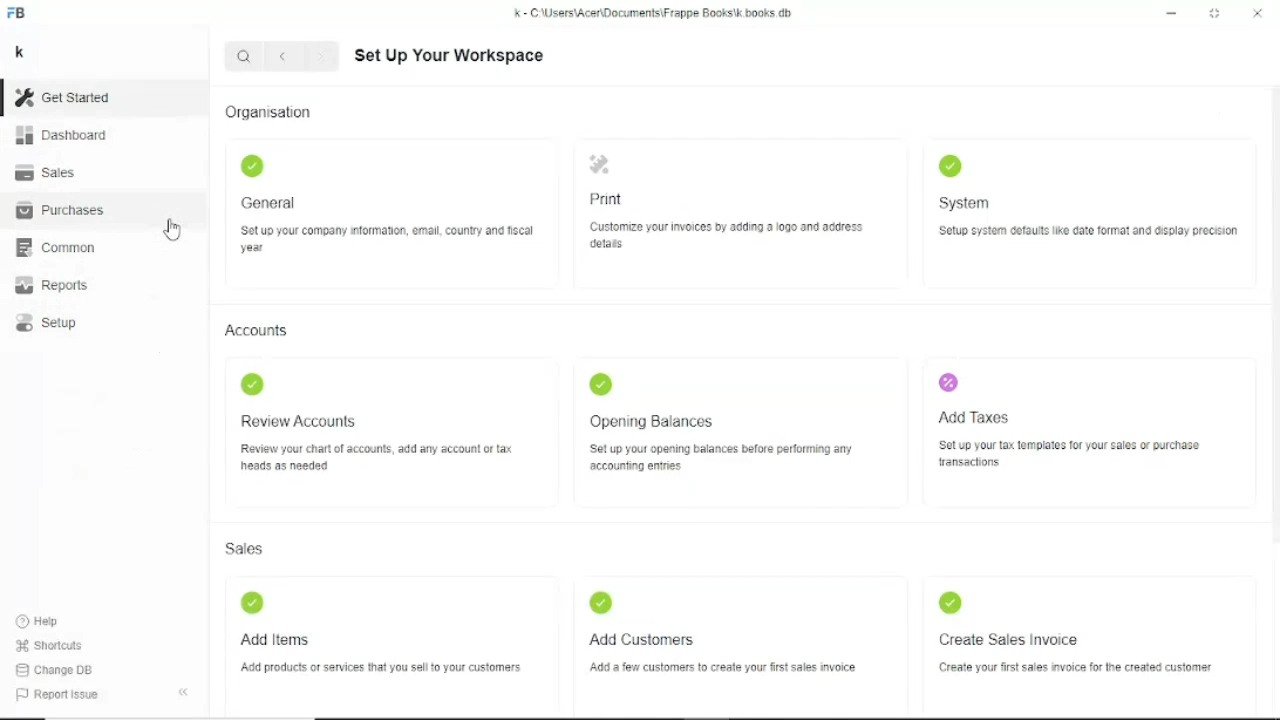  What do you see at coordinates (384, 203) in the screenshot?
I see `General set up your company information, email, country and fiscal year.` at bounding box center [384, 203].